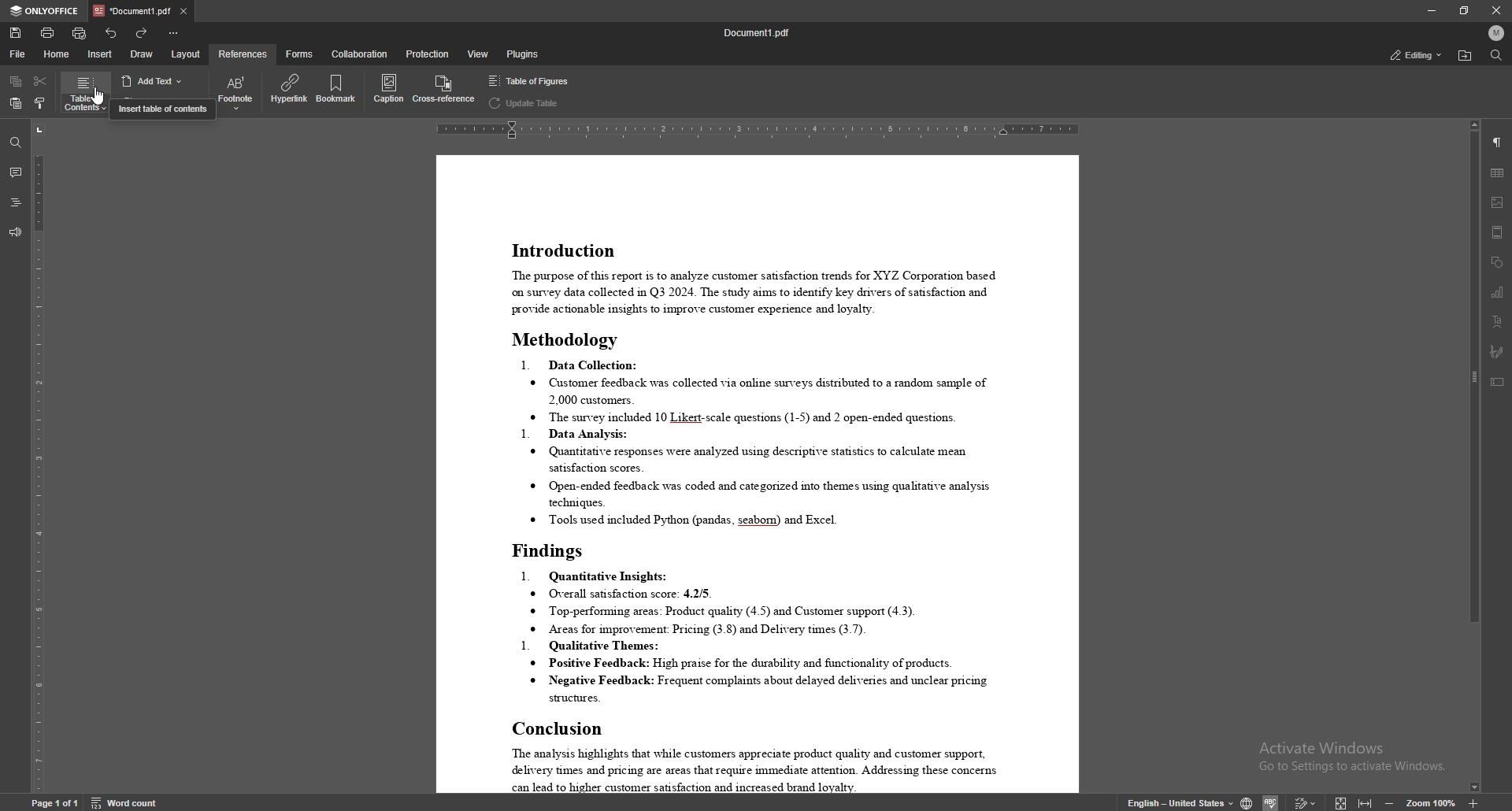 This screenshot has width=1512, height=811. I want to click on file name, so click(758, 32).